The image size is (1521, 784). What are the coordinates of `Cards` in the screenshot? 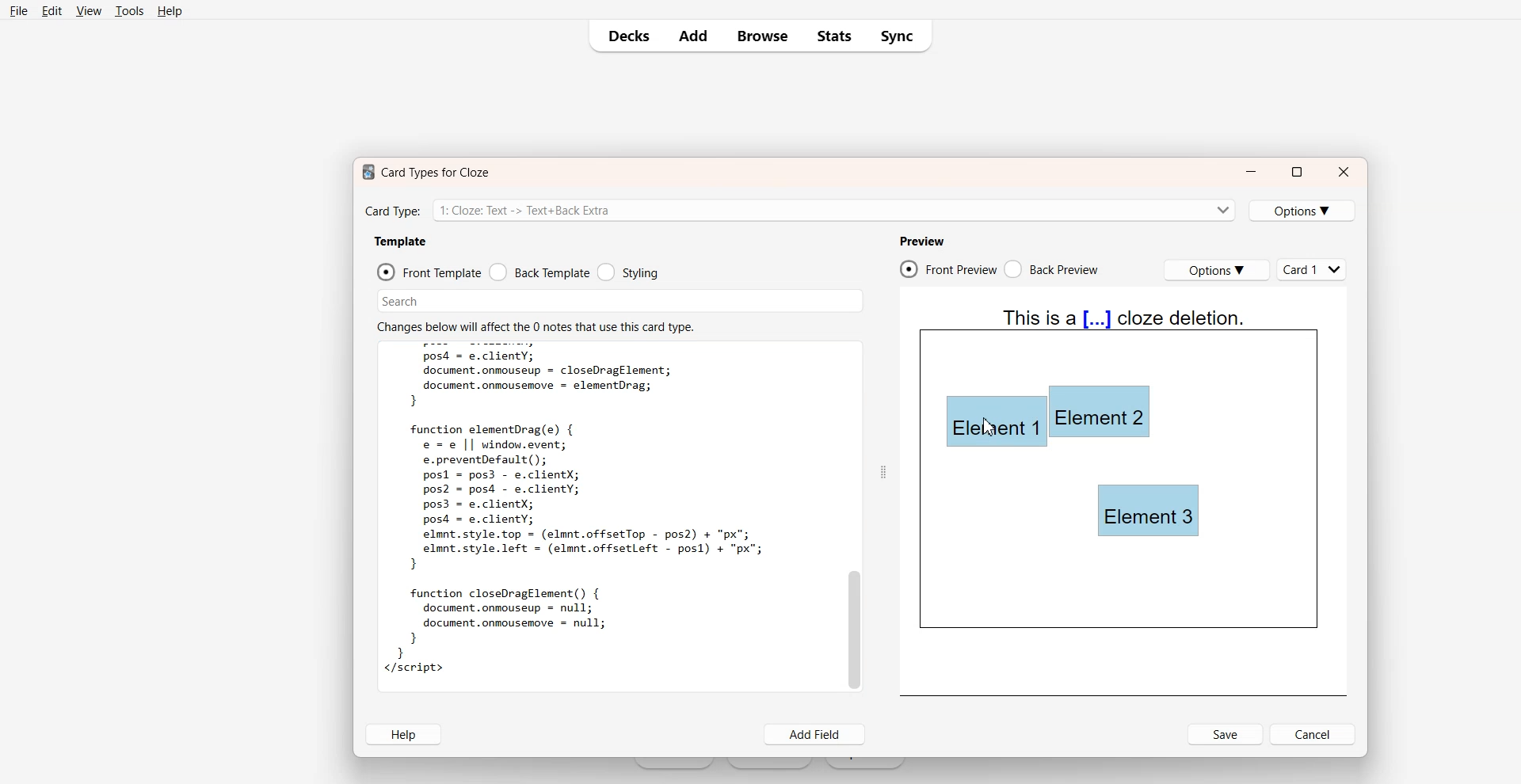 It's located at (1313, 269).